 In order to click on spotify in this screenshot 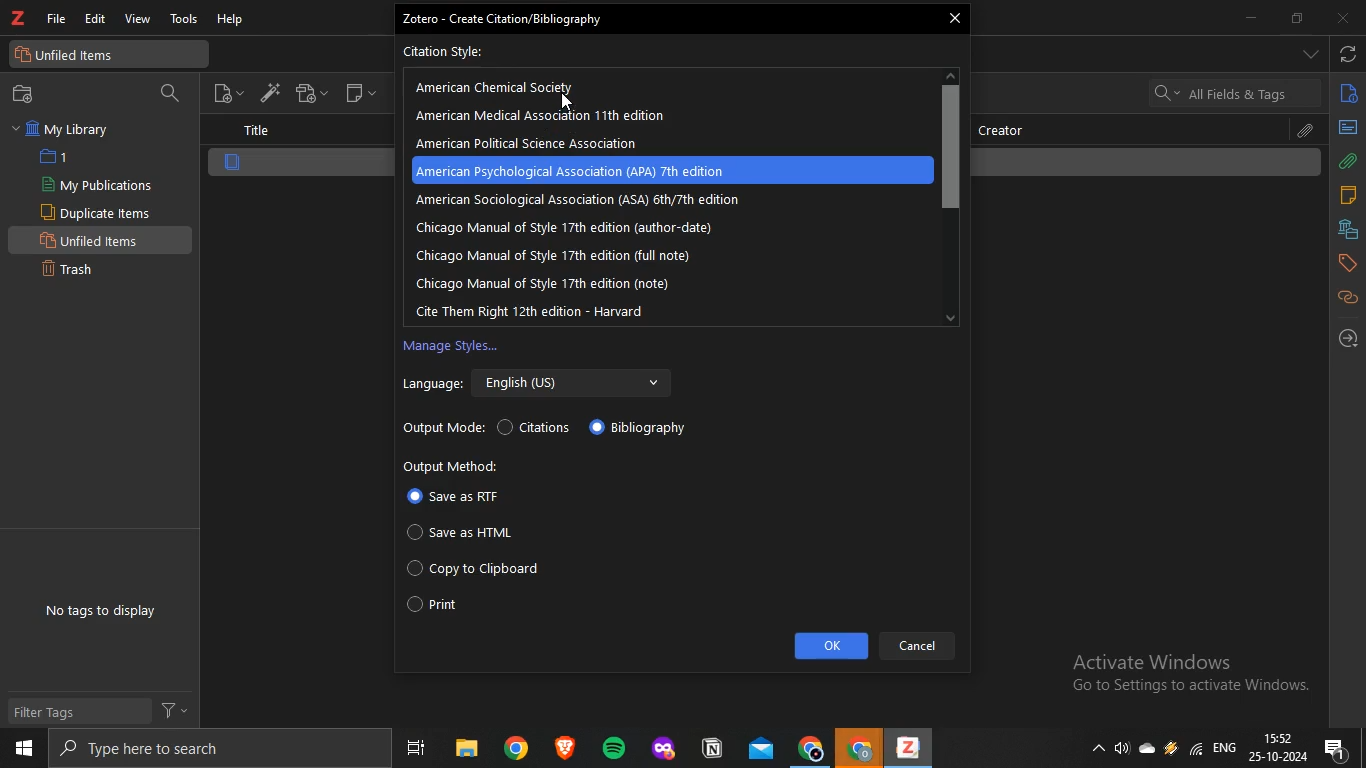, I will do `click(609, 746)`.